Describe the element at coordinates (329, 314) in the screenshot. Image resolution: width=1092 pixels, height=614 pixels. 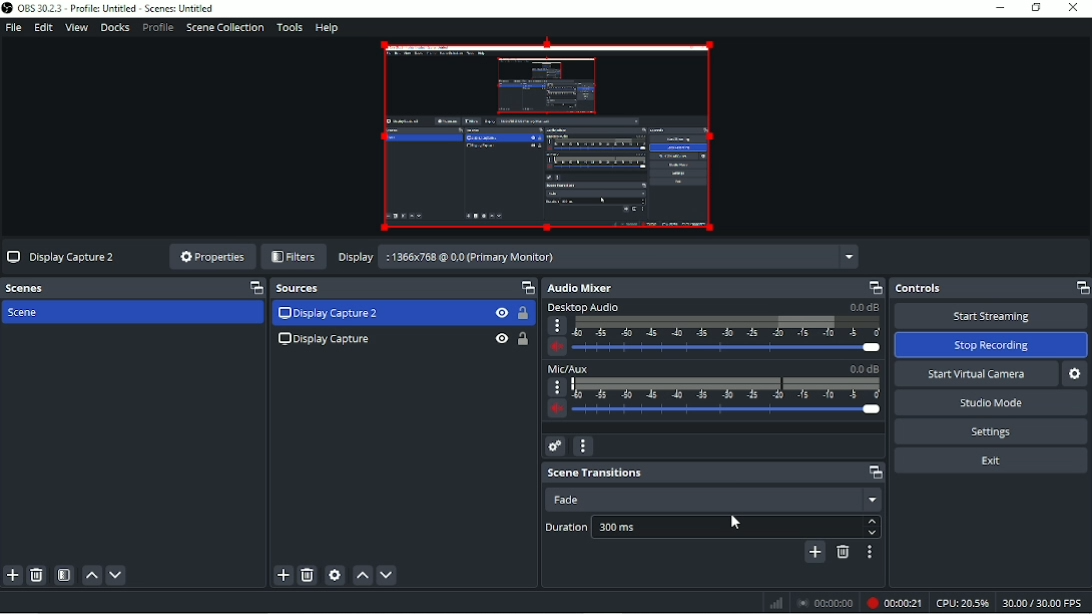
I see `Display Capture 2` at that location.